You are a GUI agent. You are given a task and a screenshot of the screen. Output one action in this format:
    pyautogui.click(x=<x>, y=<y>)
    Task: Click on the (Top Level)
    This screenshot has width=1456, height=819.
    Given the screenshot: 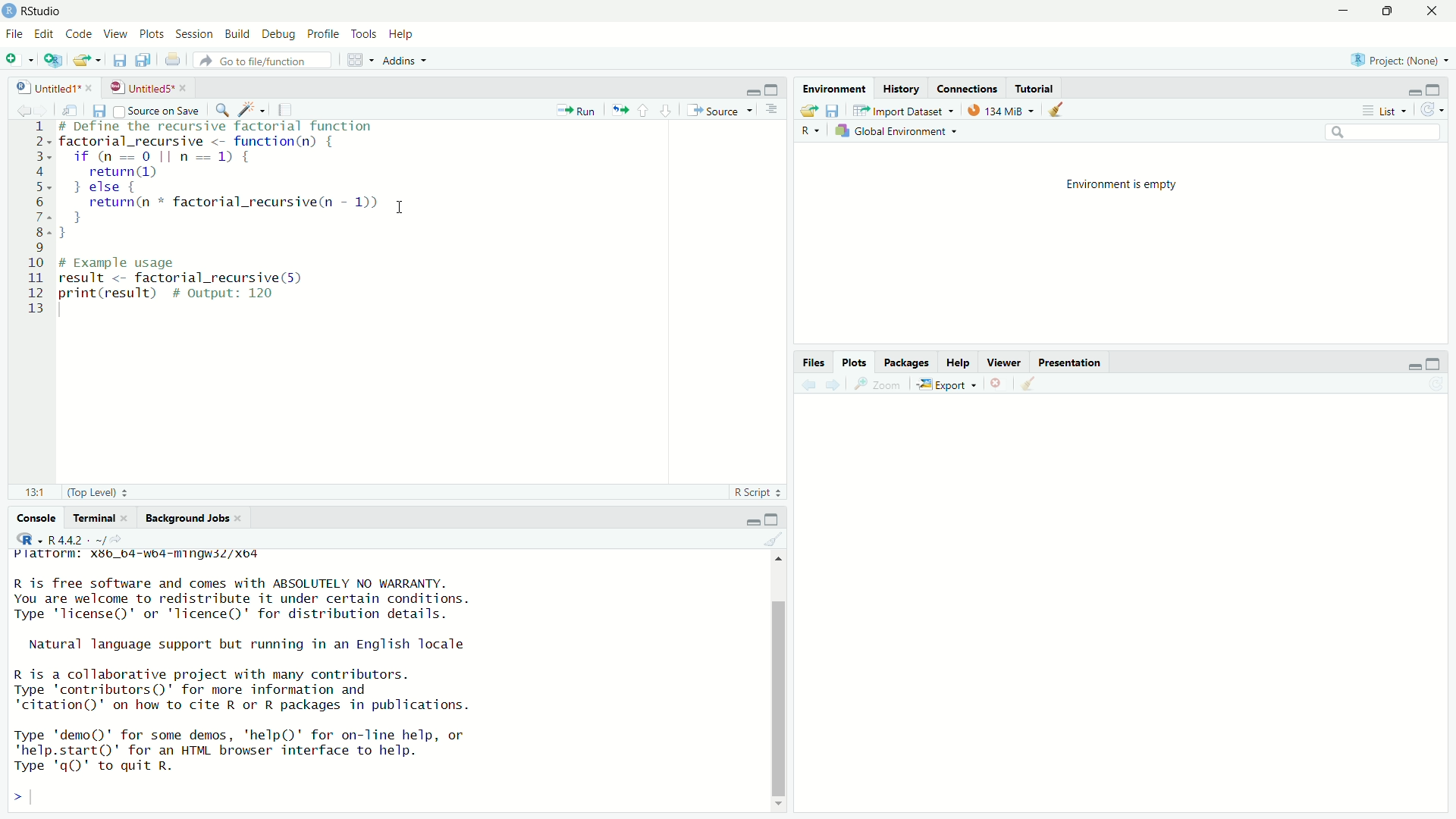 What is the action you would take?
    pyautogui.click(x=99, y=492)
    